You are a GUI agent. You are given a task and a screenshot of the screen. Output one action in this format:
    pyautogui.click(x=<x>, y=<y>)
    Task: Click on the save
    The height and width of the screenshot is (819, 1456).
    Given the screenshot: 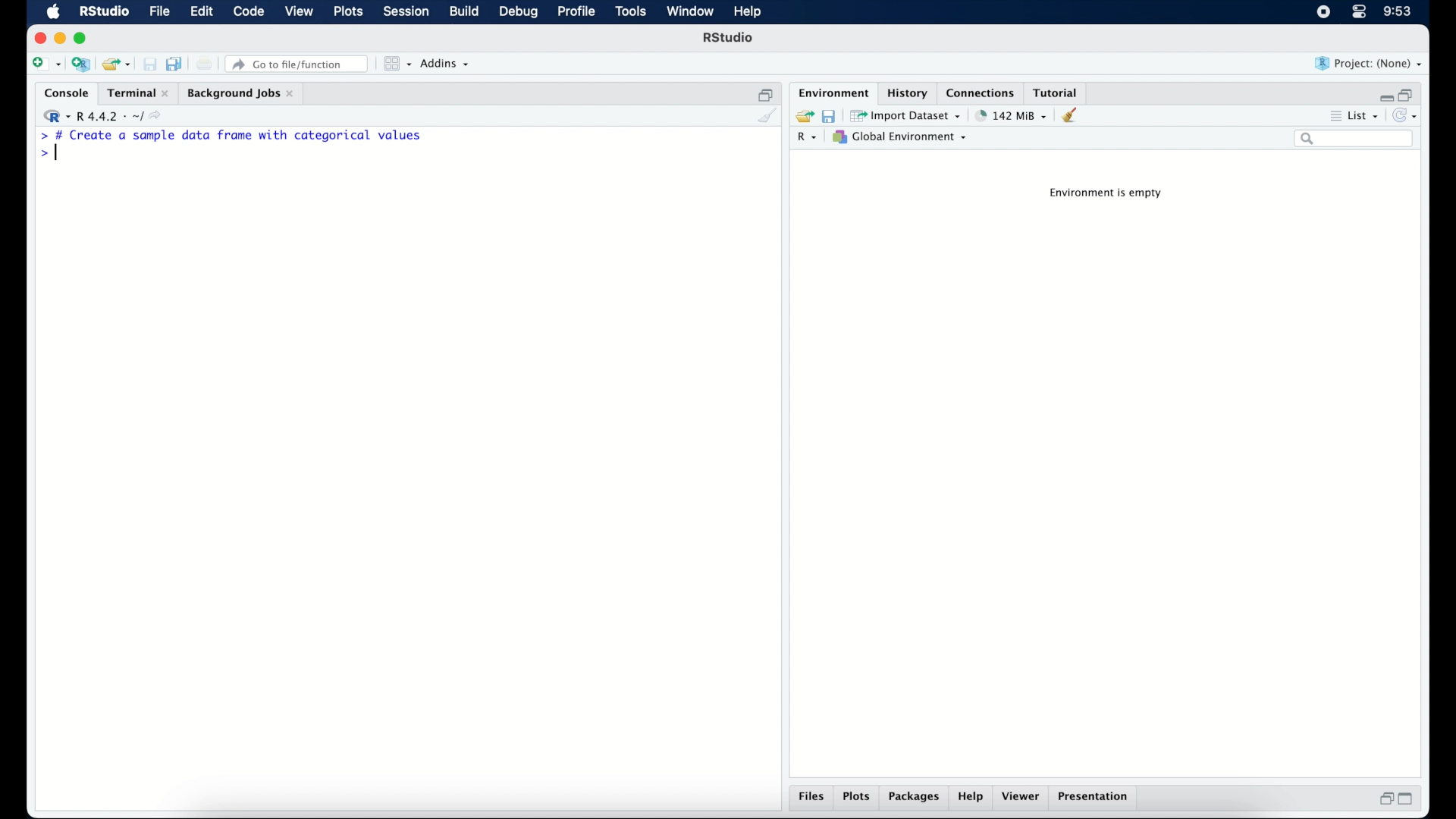 What is the action you would take?
    pyautogui.click(x=147, y=61)
    